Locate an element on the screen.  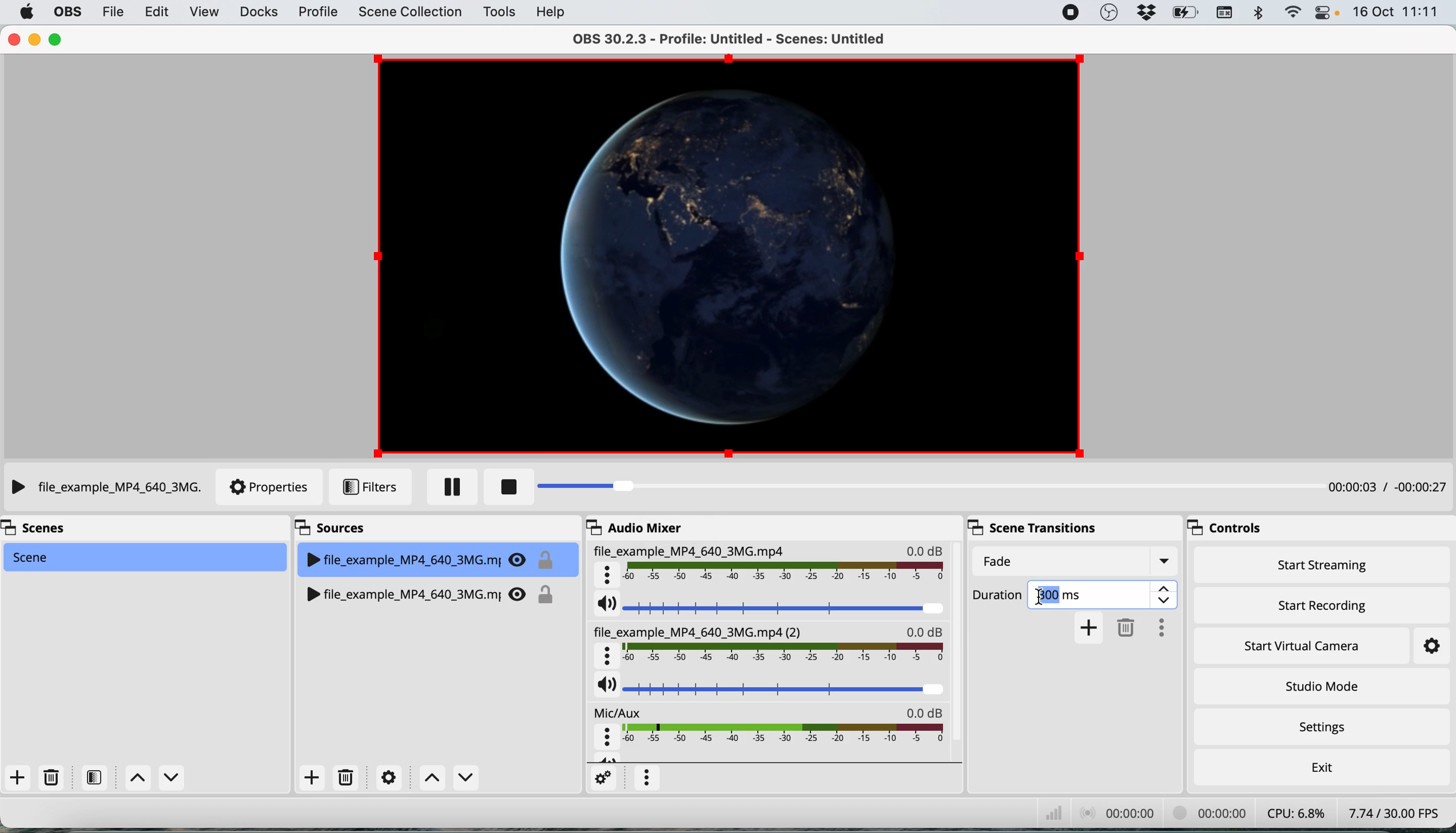
start typing new duration is located at coordinates (1043, 596).